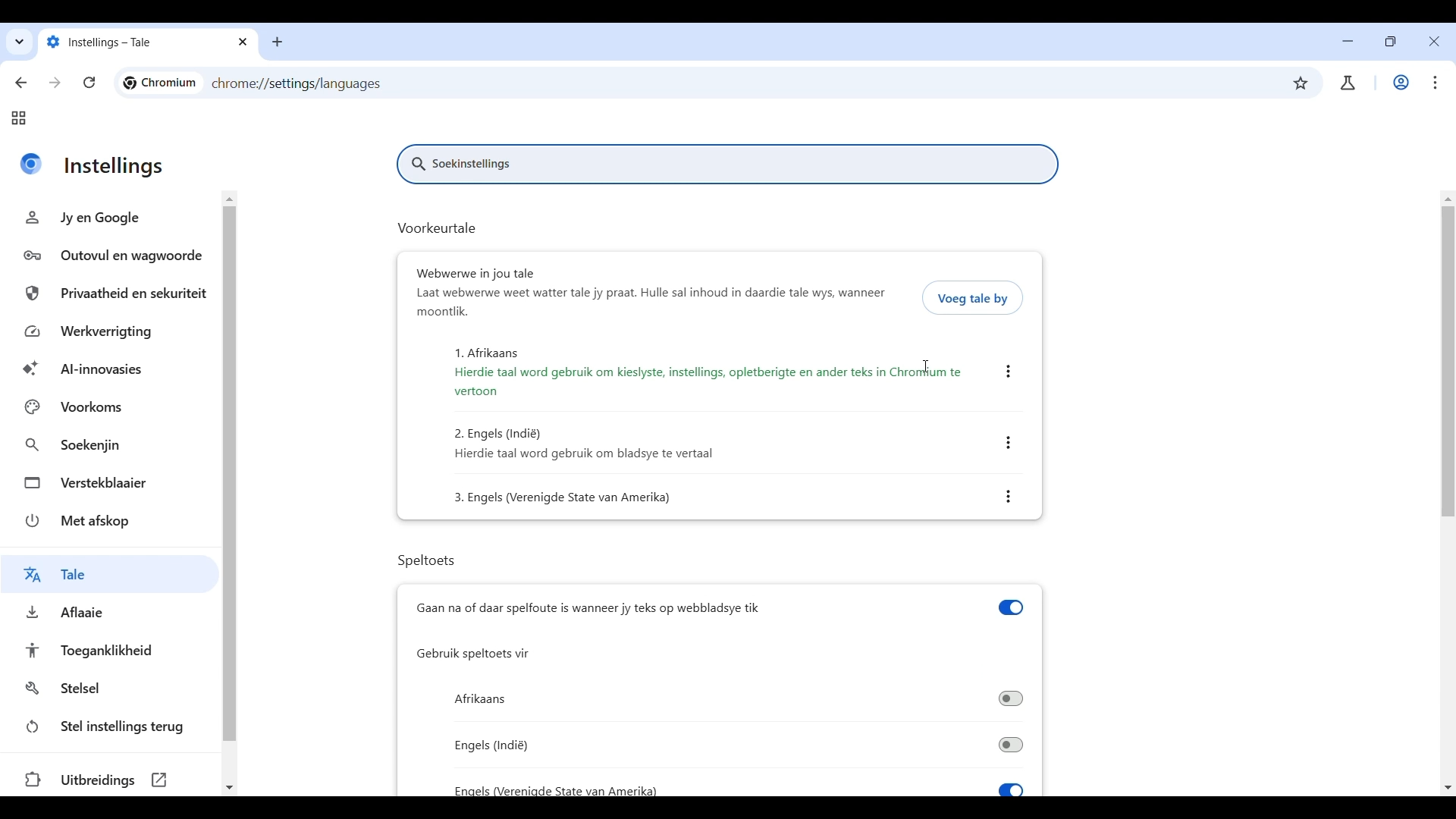 This screenshot has height=819, width=1456. Describe the element at coordinates (441, 228) in the screenshot. I see `Voorkeurtale` at that location.